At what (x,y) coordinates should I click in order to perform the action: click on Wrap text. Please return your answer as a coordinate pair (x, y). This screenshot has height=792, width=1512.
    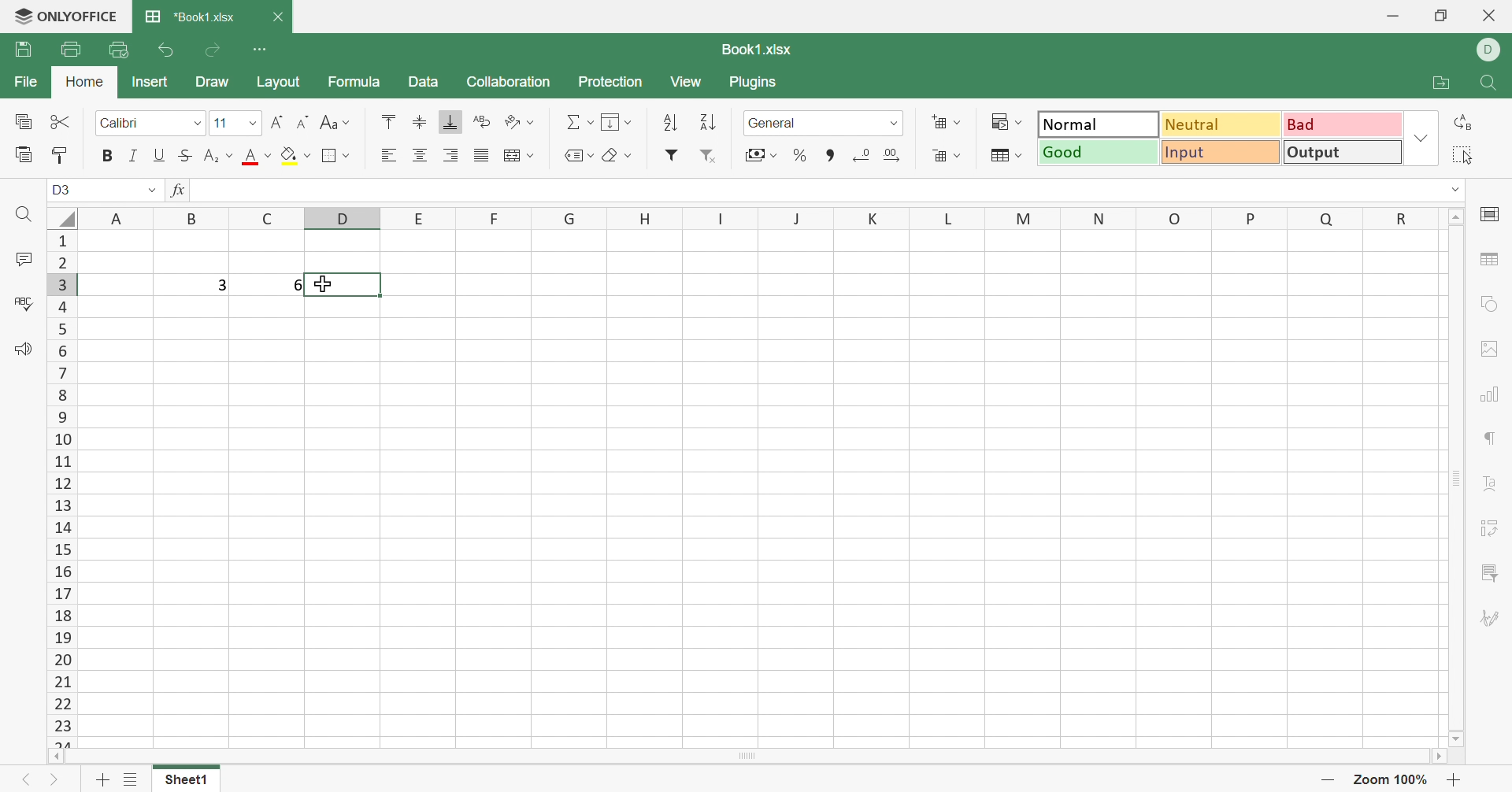
    Looking at the image, I should click on (478, 122).